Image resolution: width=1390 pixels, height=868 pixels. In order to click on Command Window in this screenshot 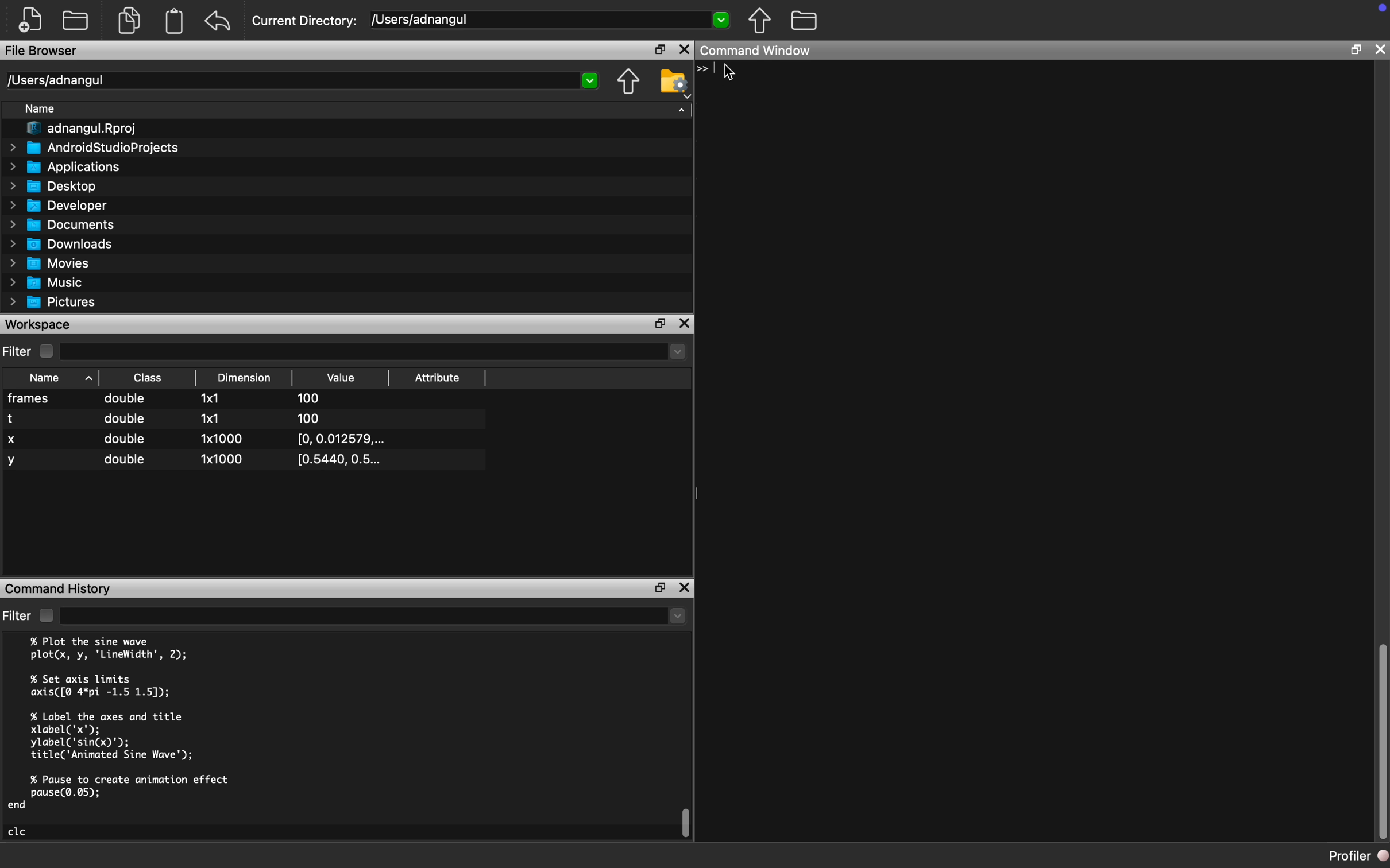, I will do `click(758, 52)`.